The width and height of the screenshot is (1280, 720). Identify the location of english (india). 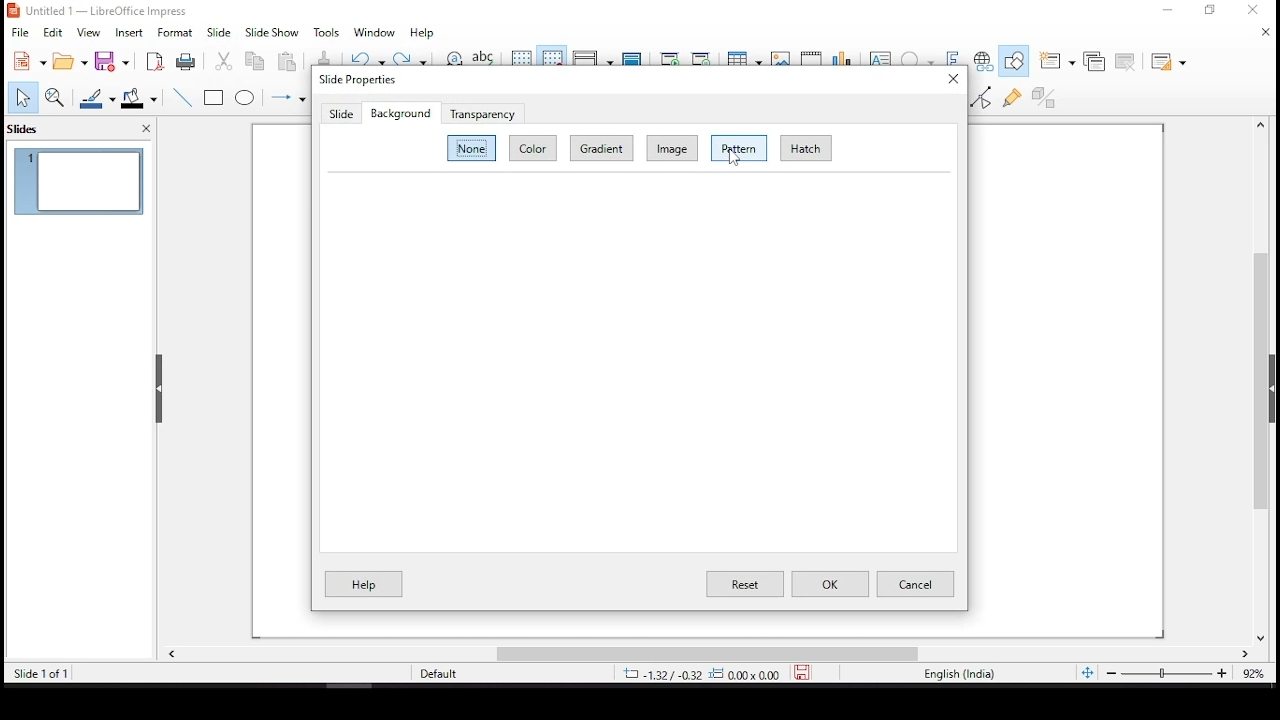
(958, 673).